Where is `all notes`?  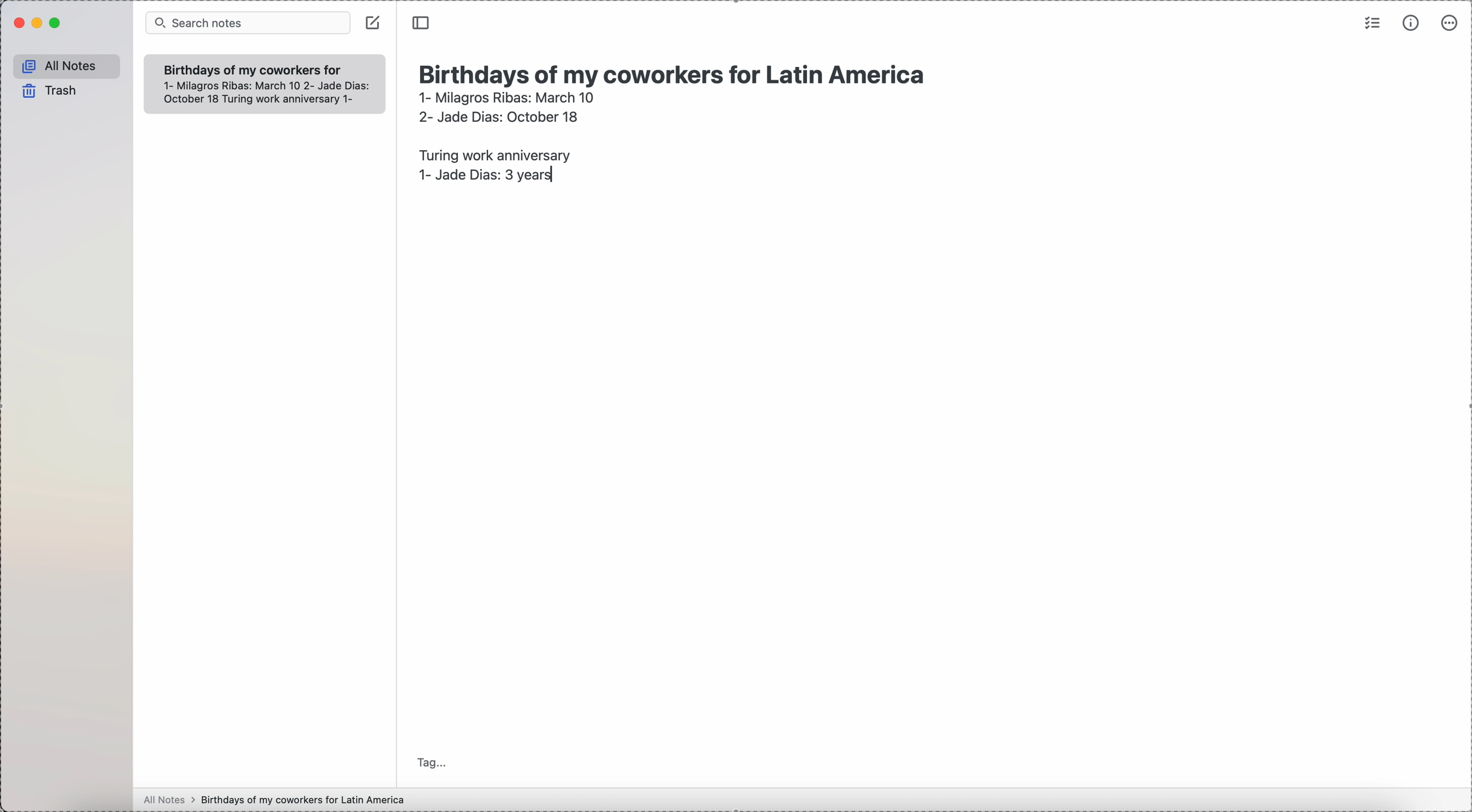
all notes is located at coordinates (67, 67).